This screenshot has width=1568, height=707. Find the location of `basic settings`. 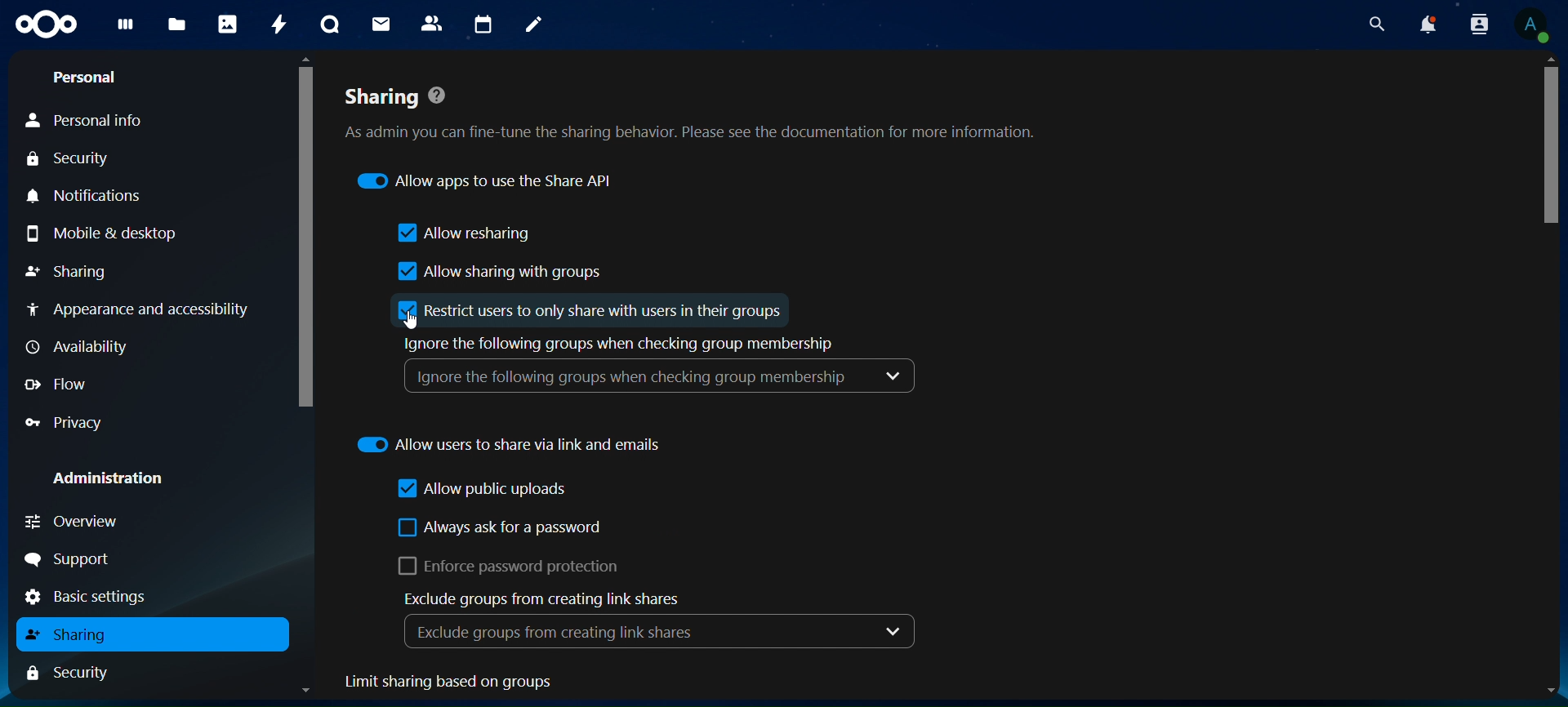

basic settings is located at coordinates (88, 598).